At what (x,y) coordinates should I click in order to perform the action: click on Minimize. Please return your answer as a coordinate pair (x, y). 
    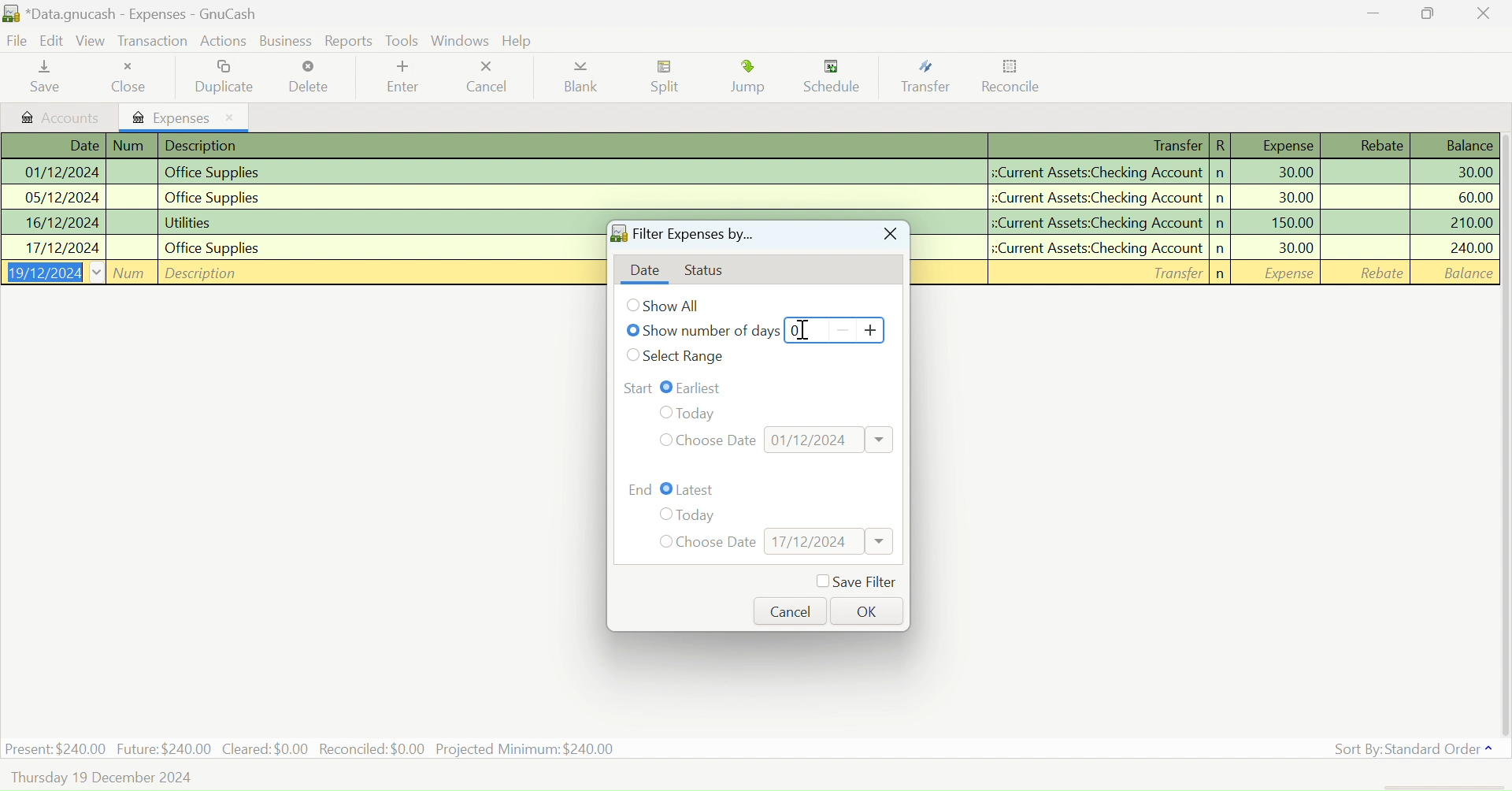
    Looking at the image, I should click on (1429, 13).